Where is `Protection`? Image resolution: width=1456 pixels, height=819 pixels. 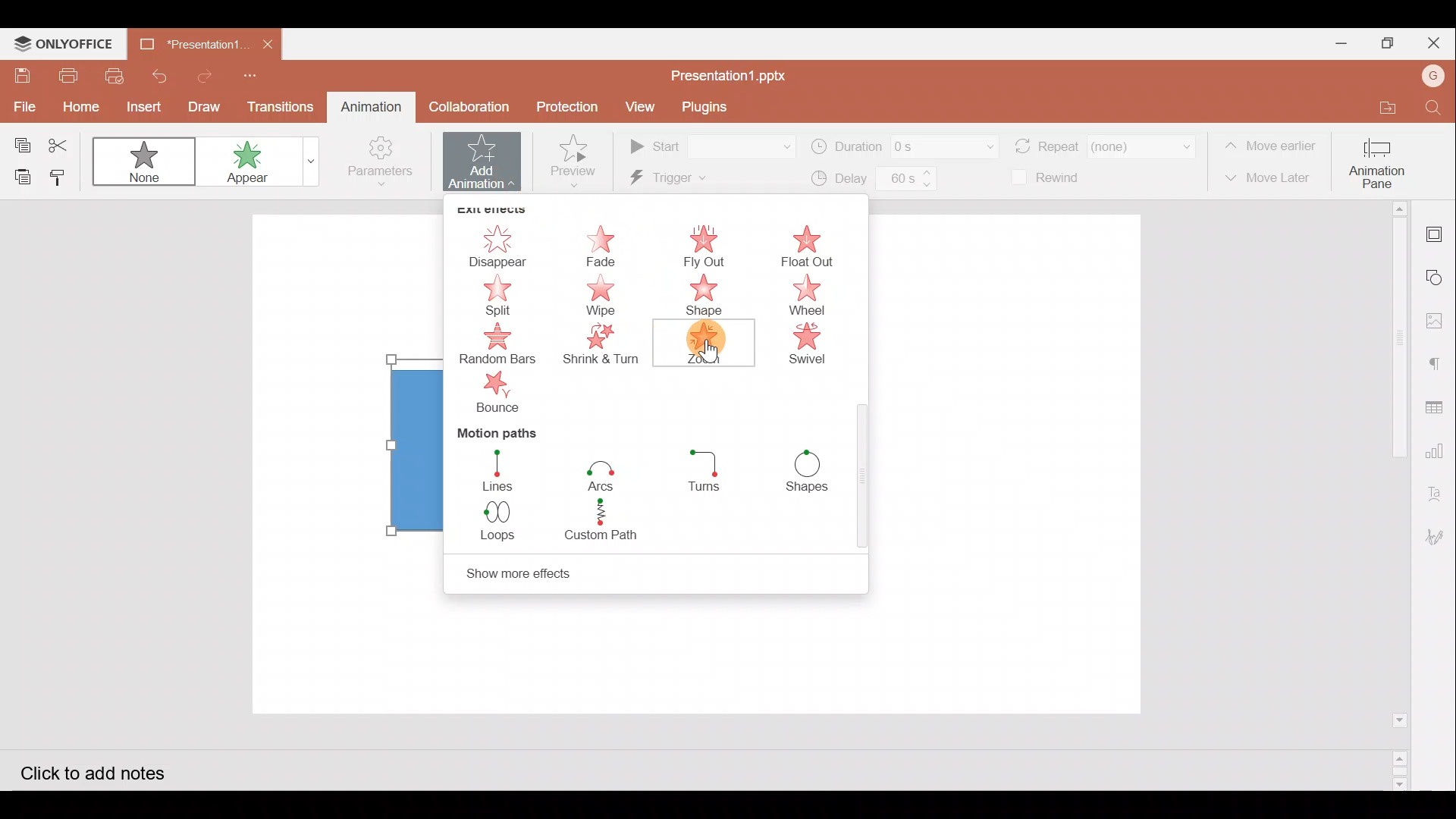 Protection is located at coordinates (569, 108).